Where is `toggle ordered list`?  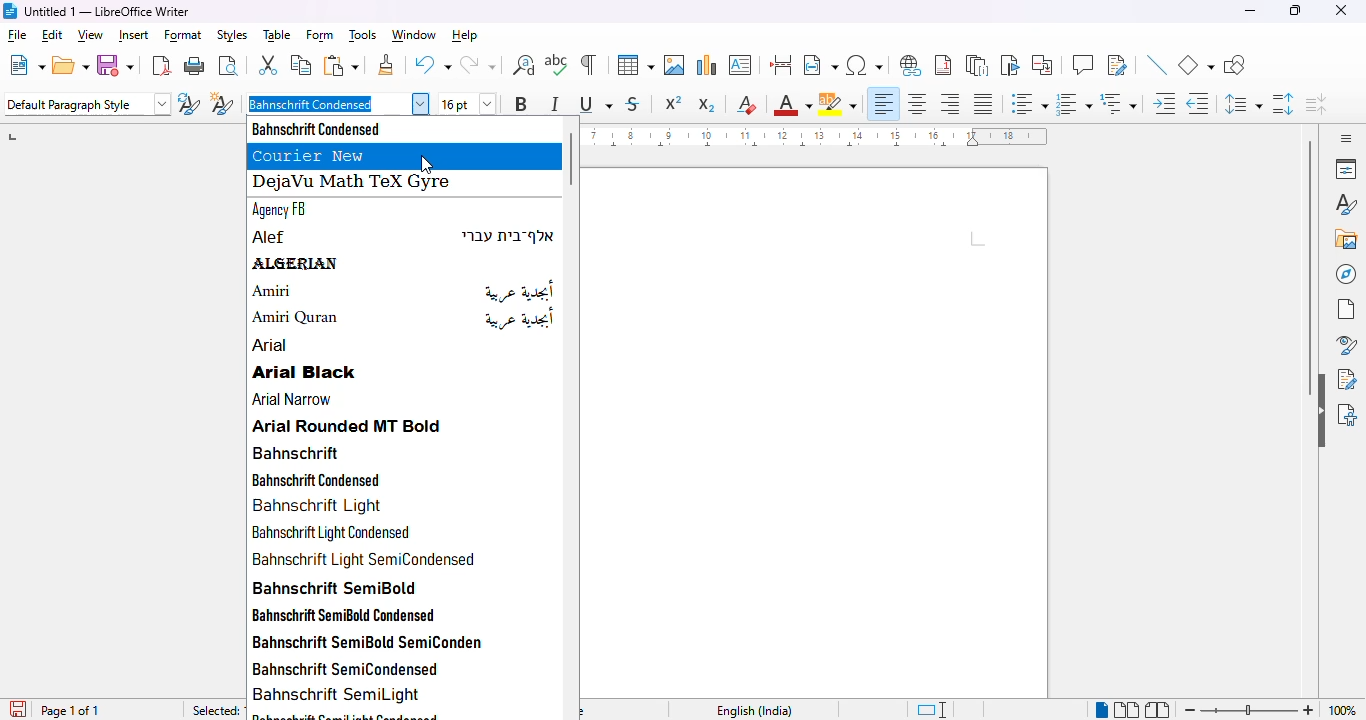 toggle ordered list is located at coordinates (1073, 103).